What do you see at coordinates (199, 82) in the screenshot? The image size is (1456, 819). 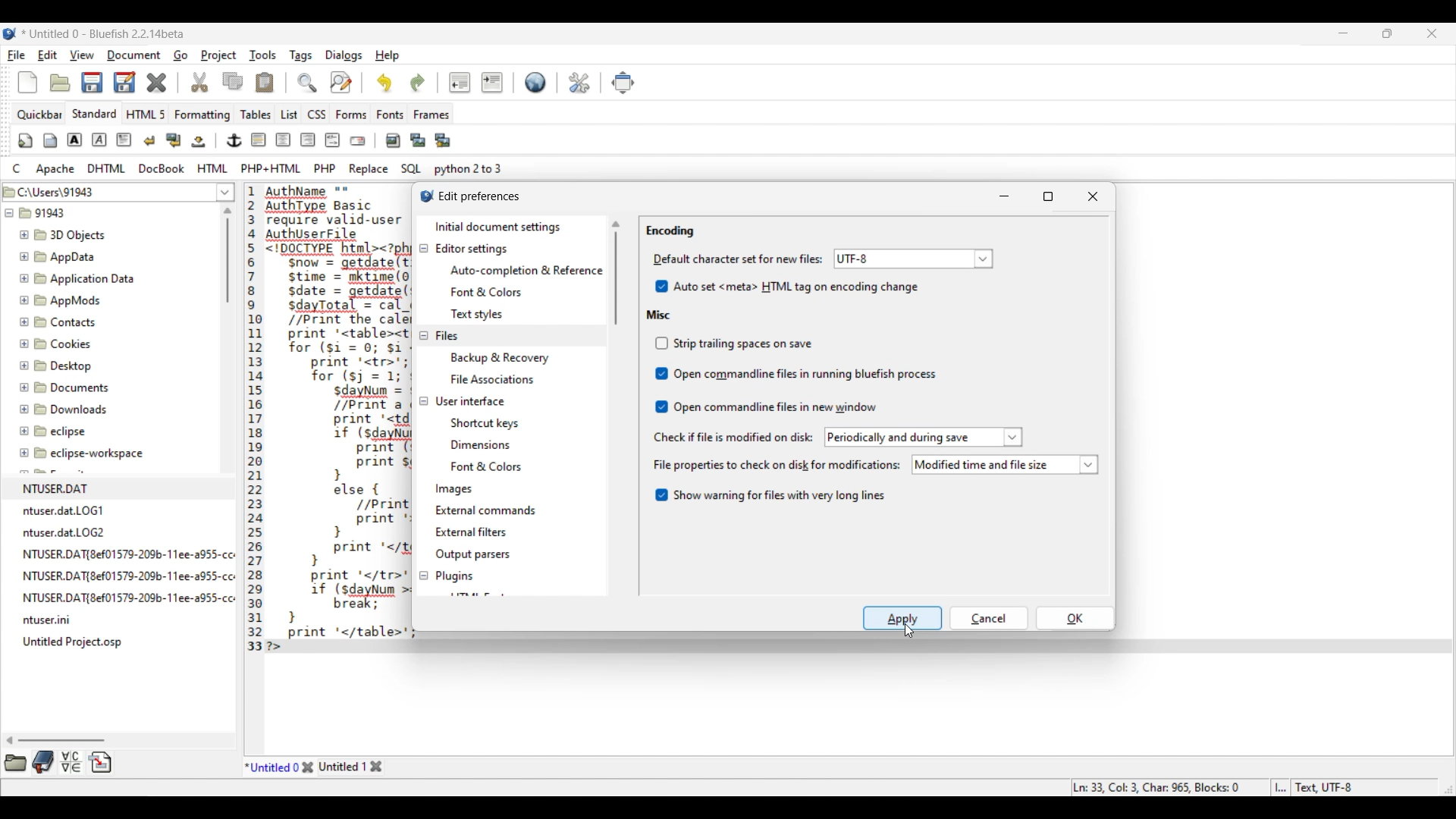 I see `Cut` at bounding box center [199, 82].